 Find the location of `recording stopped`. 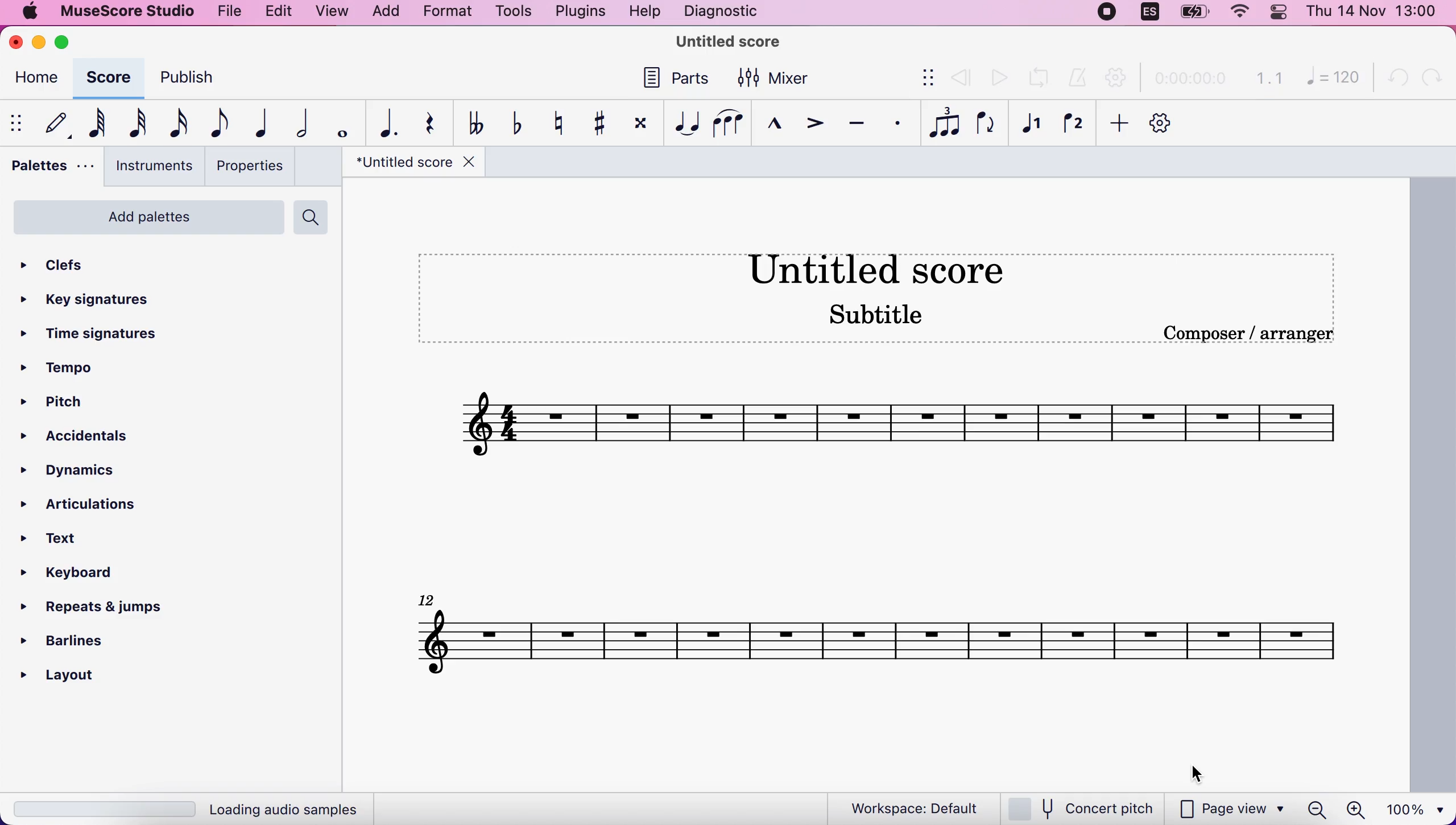

recording stopped is located at coordinates (1107, 15).